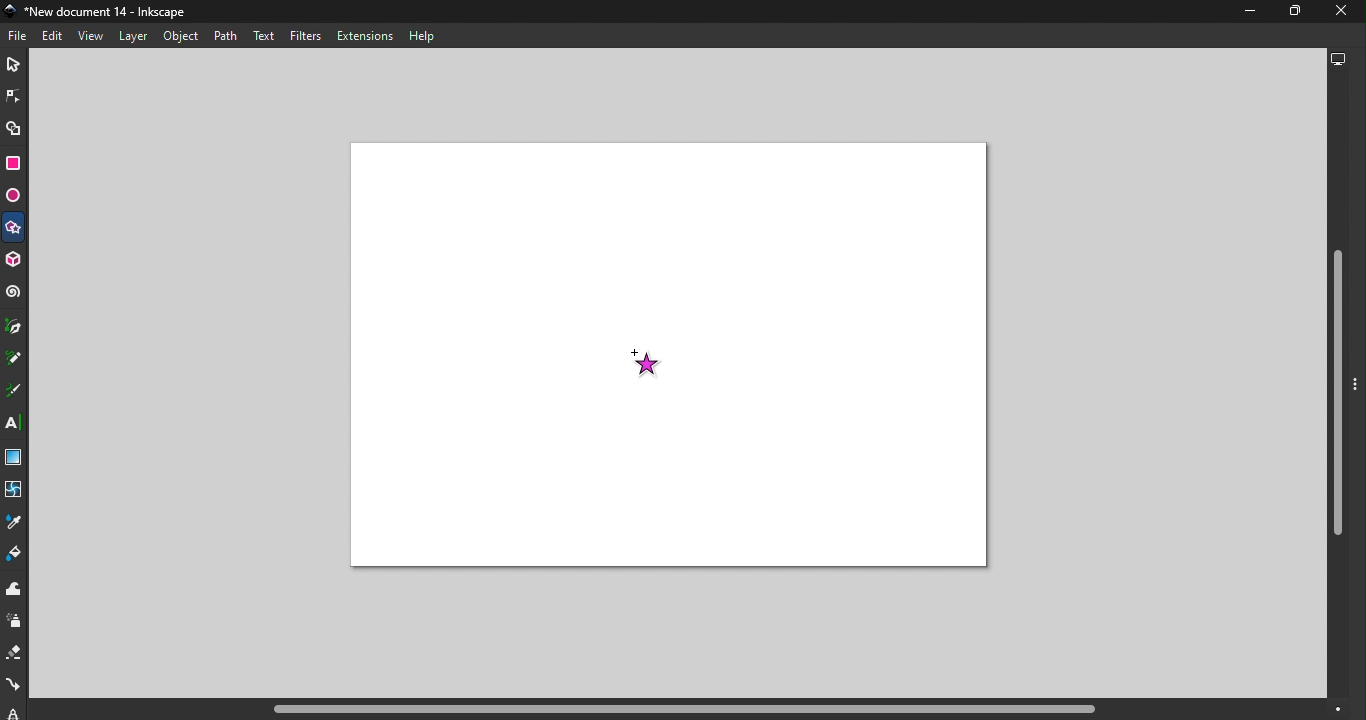 This screenshot has height=720, width=1366. What do you see at coordinates (428, 34) in the screenshot?
I see `Help` at bounding box center [428, 34].